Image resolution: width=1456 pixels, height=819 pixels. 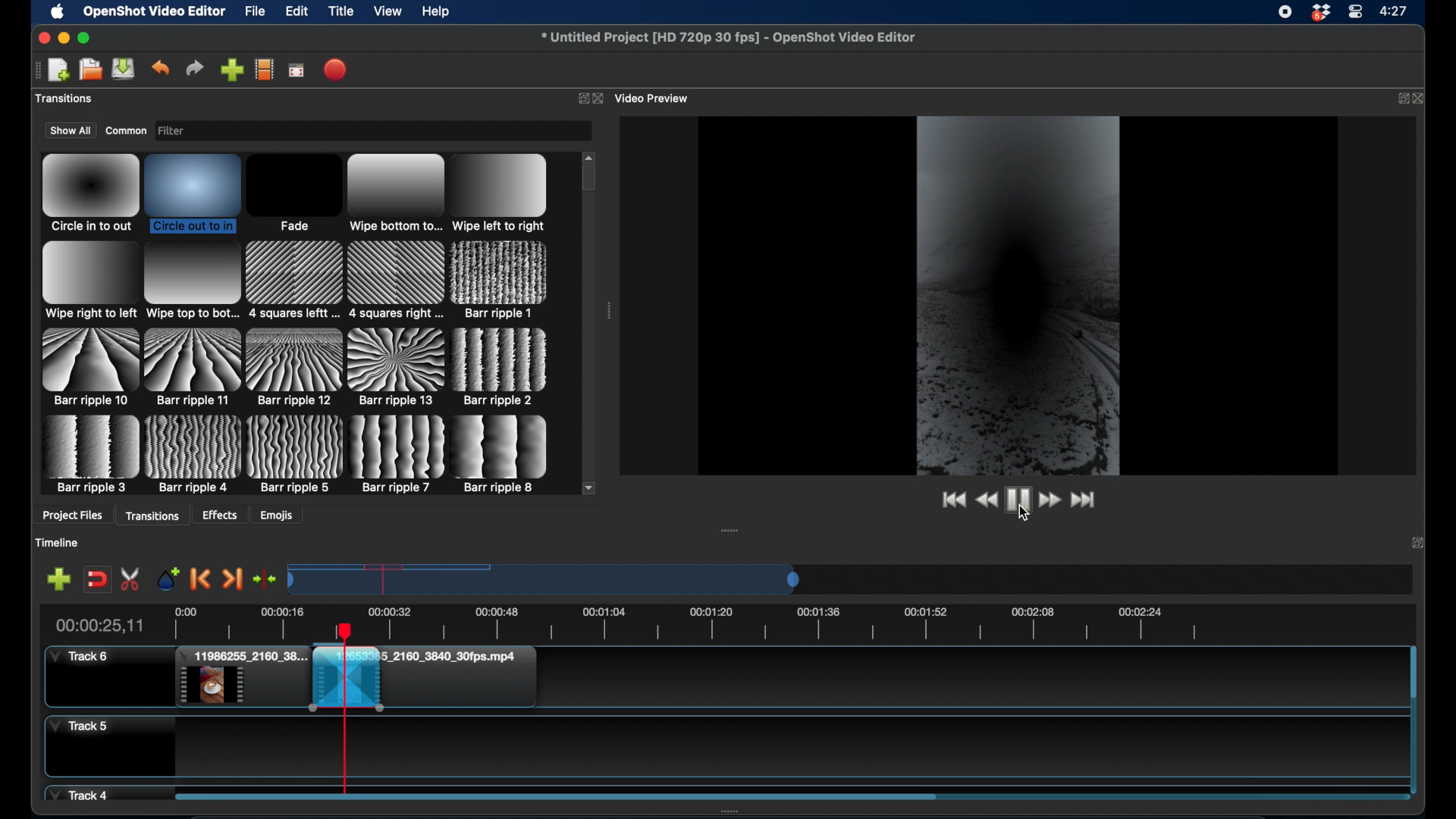 What do you see at coordinates (89, 70) in the screenshot?
I see `open project` at bounding box center [89, 70].